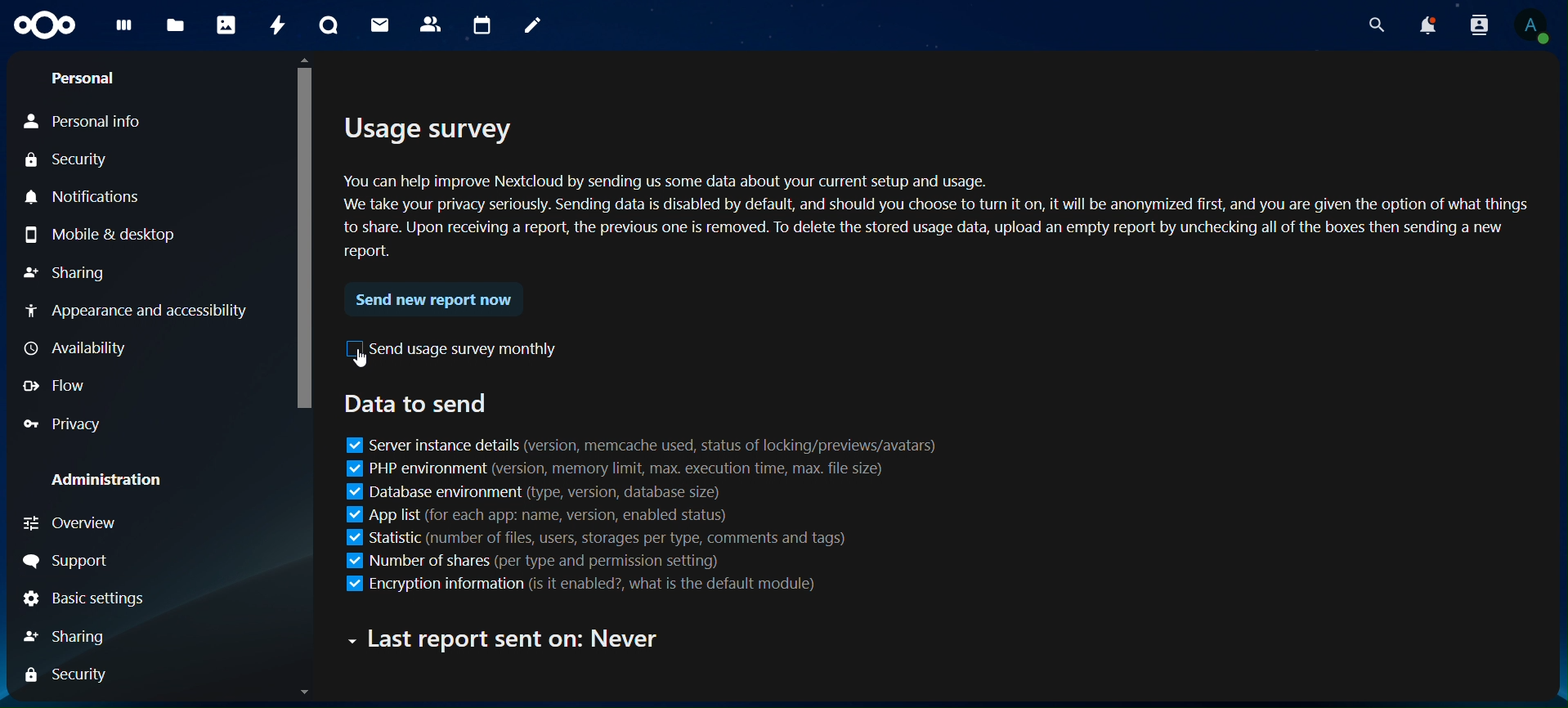  What do you see at coordinates (96, 235) in the screenshot?
I see `Mobile & Desktop` at bounding box center [96, 235].